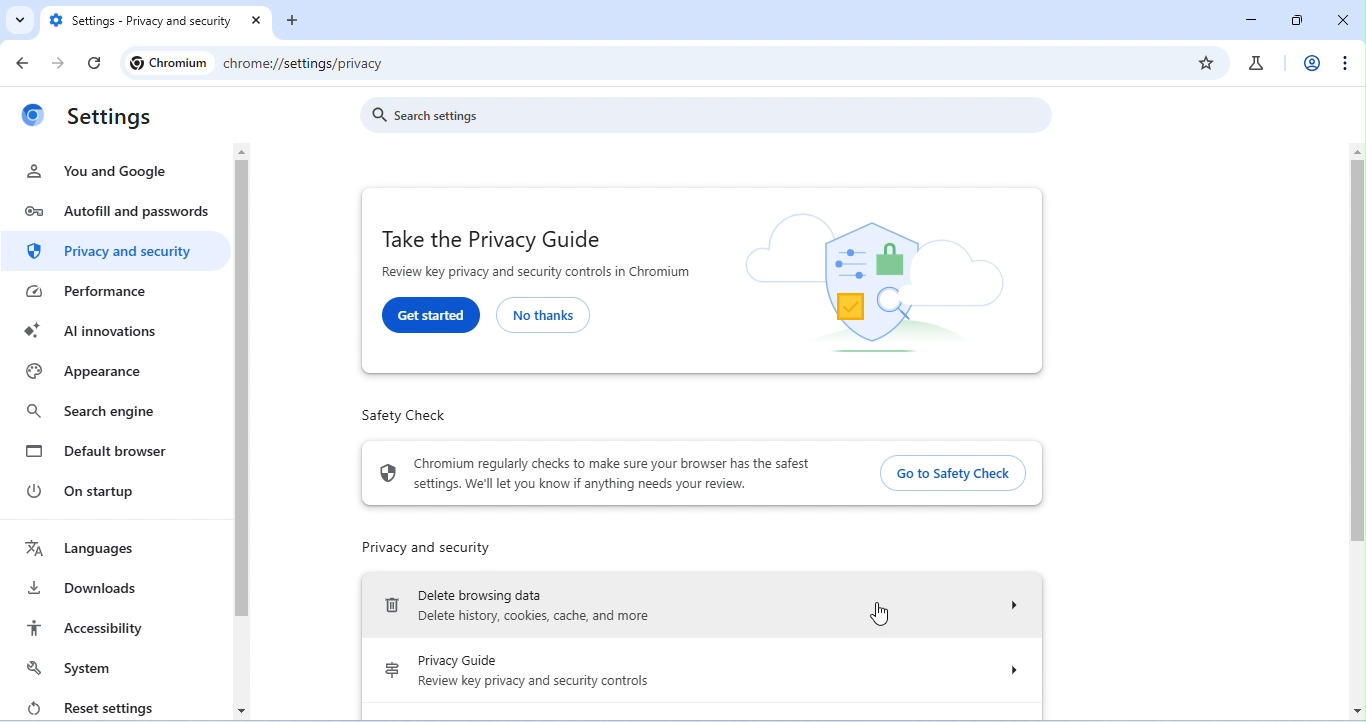  What do you see at coordinates (32, 119) in the screenshot?
I see `chromium logo` at bounding box center [32, 119].